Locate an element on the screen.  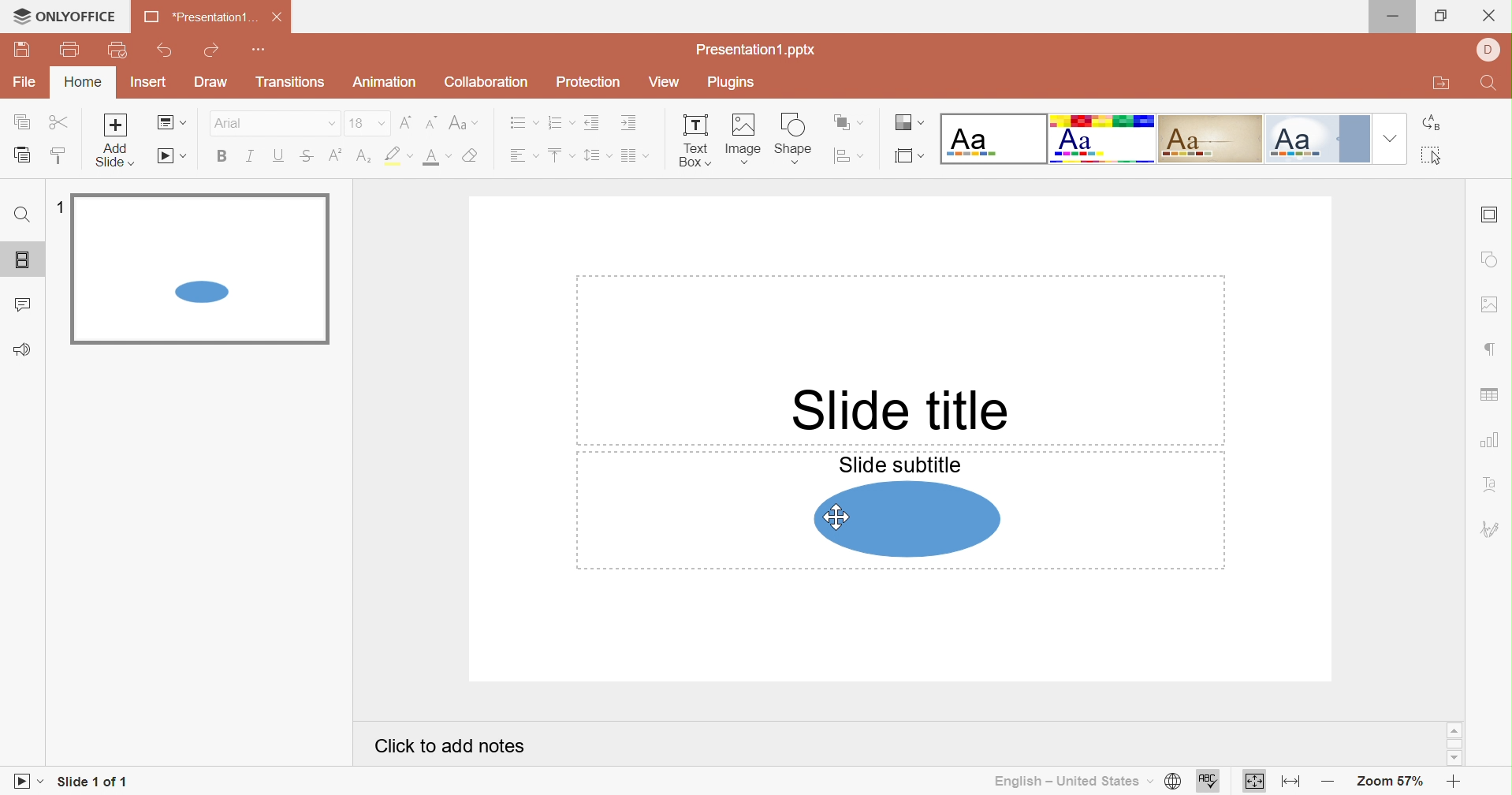
Find is located at coordinates (20, 214).